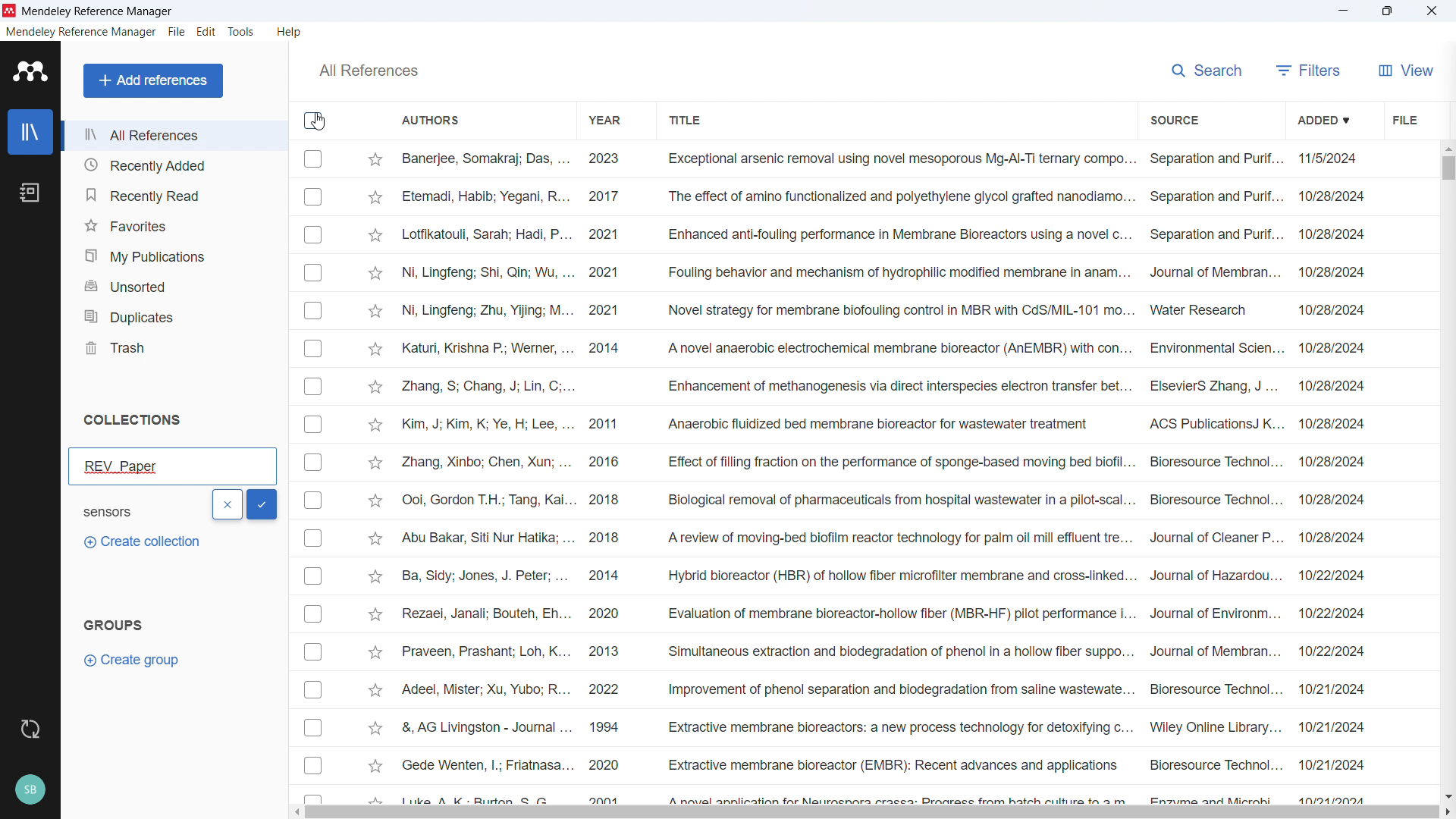 Image resolution: width=1456 pixels, height=819 pixels. Describe the element at coordinates (431, 121) in the screenshot. I see `Authors` at that location.